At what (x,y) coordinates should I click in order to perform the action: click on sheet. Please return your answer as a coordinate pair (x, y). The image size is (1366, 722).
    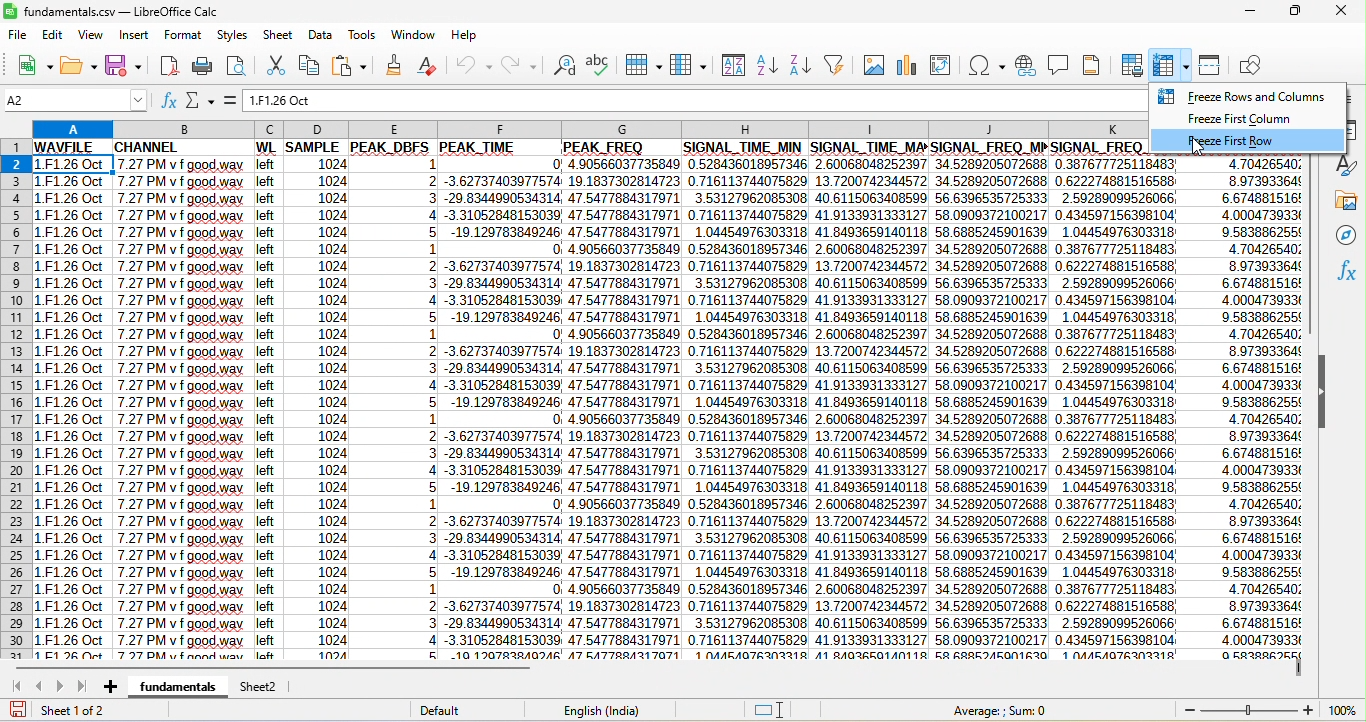
    Looking at the image, I should click on (278, 36).